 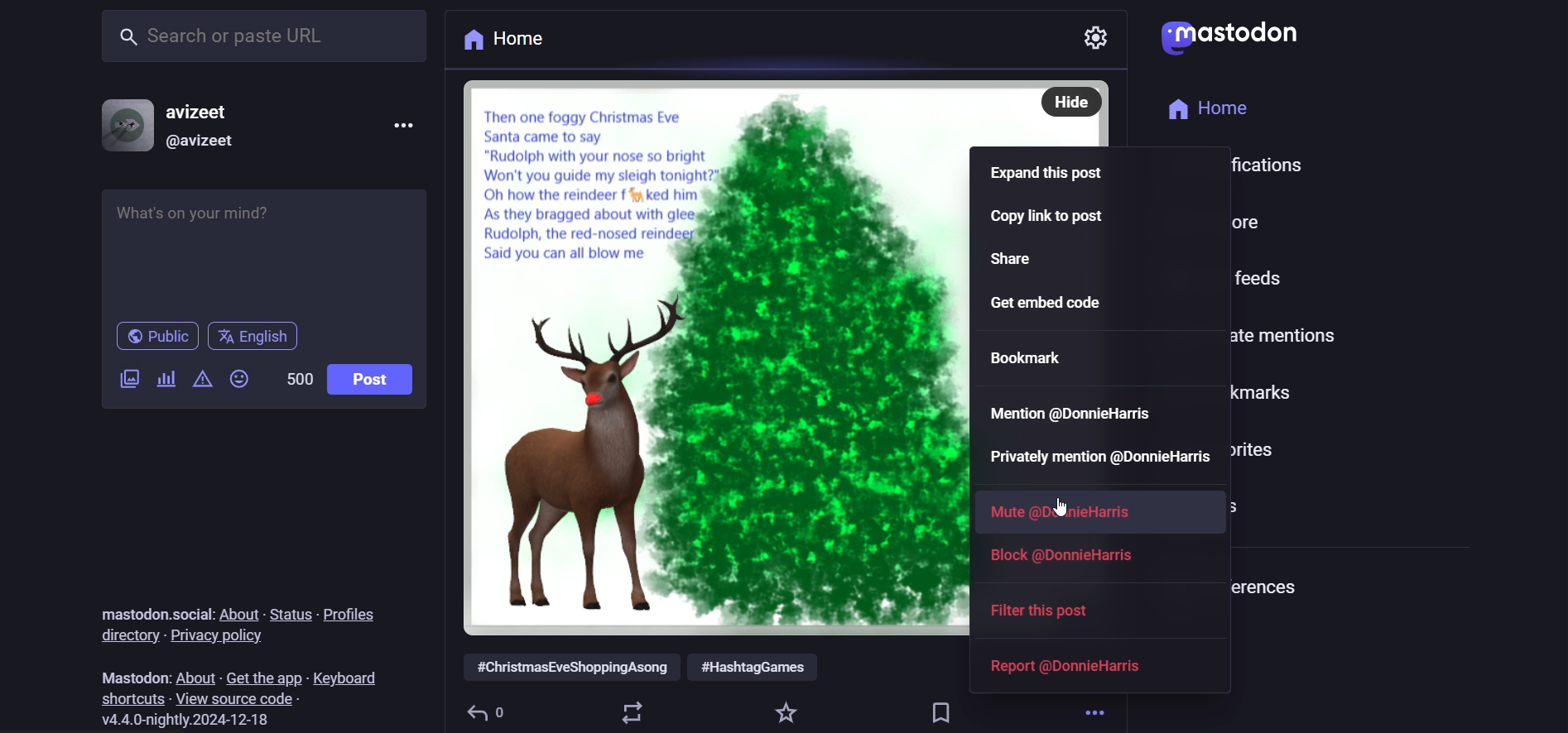 What do you see at coordinates (1239, 39) in the screenshot?
I see `logo` at bounding box center [1239, 39].